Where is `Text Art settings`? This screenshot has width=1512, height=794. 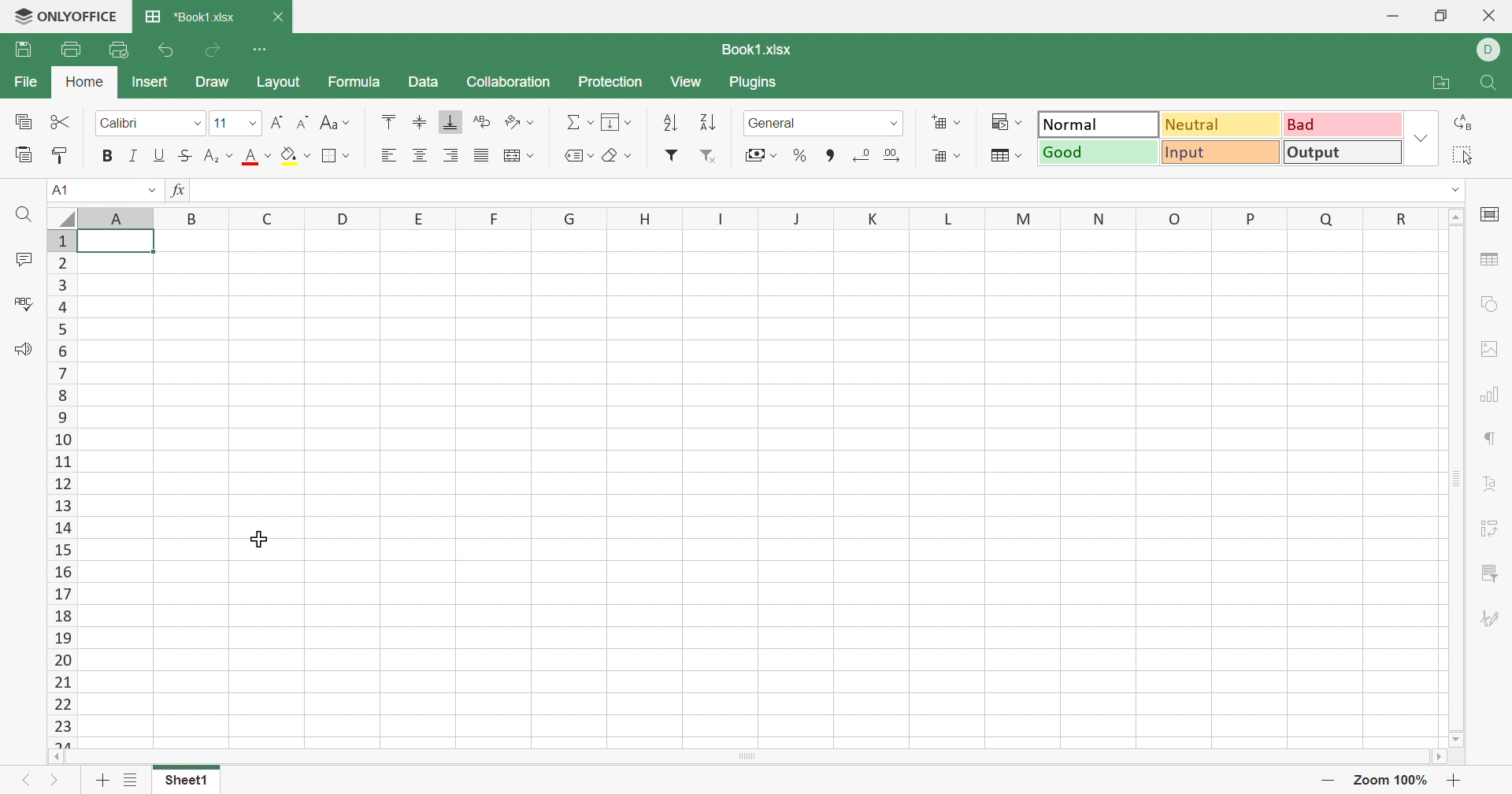
Text Art settings is located at coordinates (1491, 479).